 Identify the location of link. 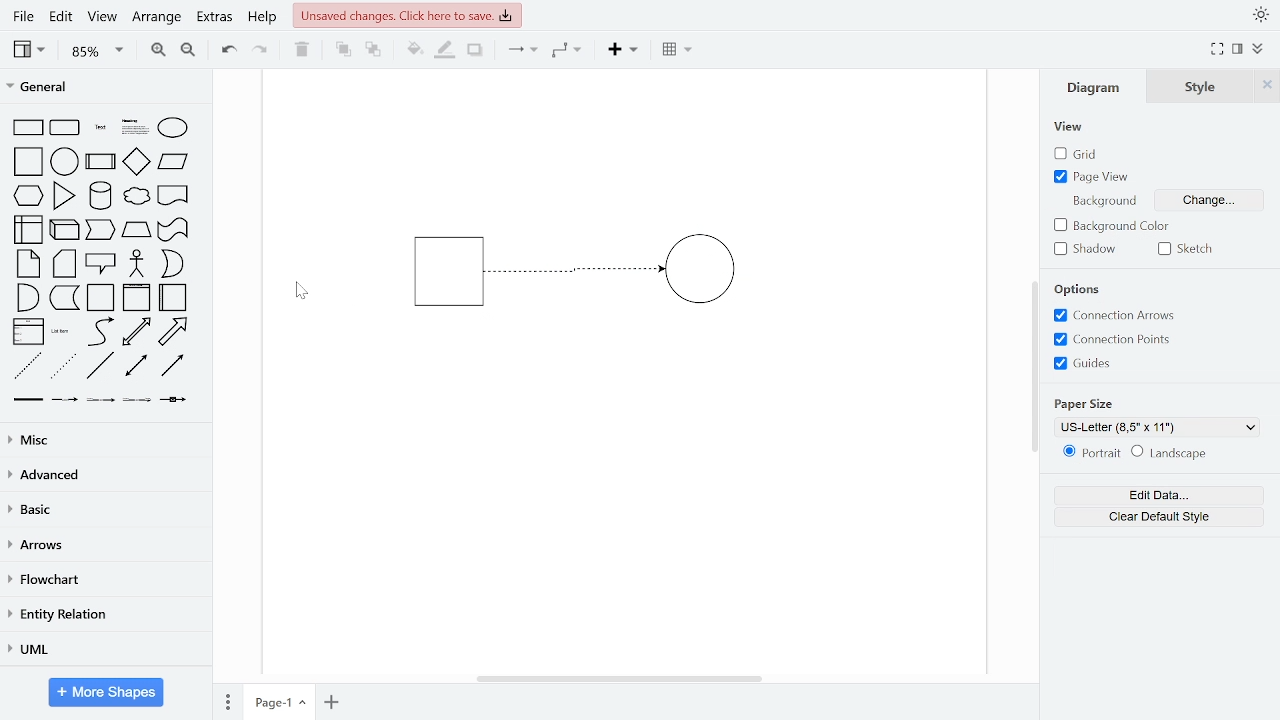
(27, 400).